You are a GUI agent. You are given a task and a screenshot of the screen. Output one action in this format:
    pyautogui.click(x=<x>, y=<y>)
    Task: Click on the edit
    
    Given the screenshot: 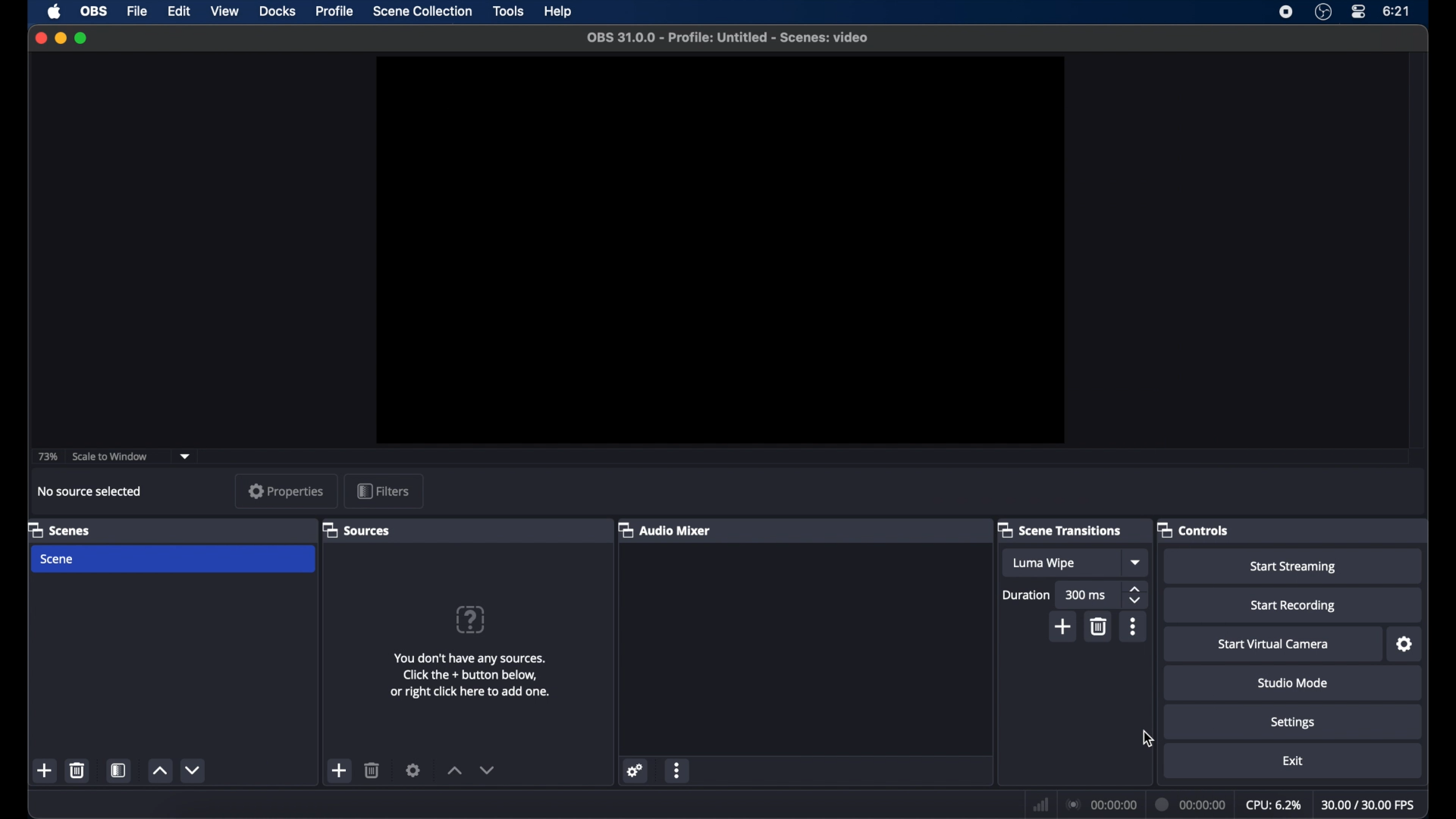 What is the action you would take?
    pyautogui.click(x=180, y=12)
    